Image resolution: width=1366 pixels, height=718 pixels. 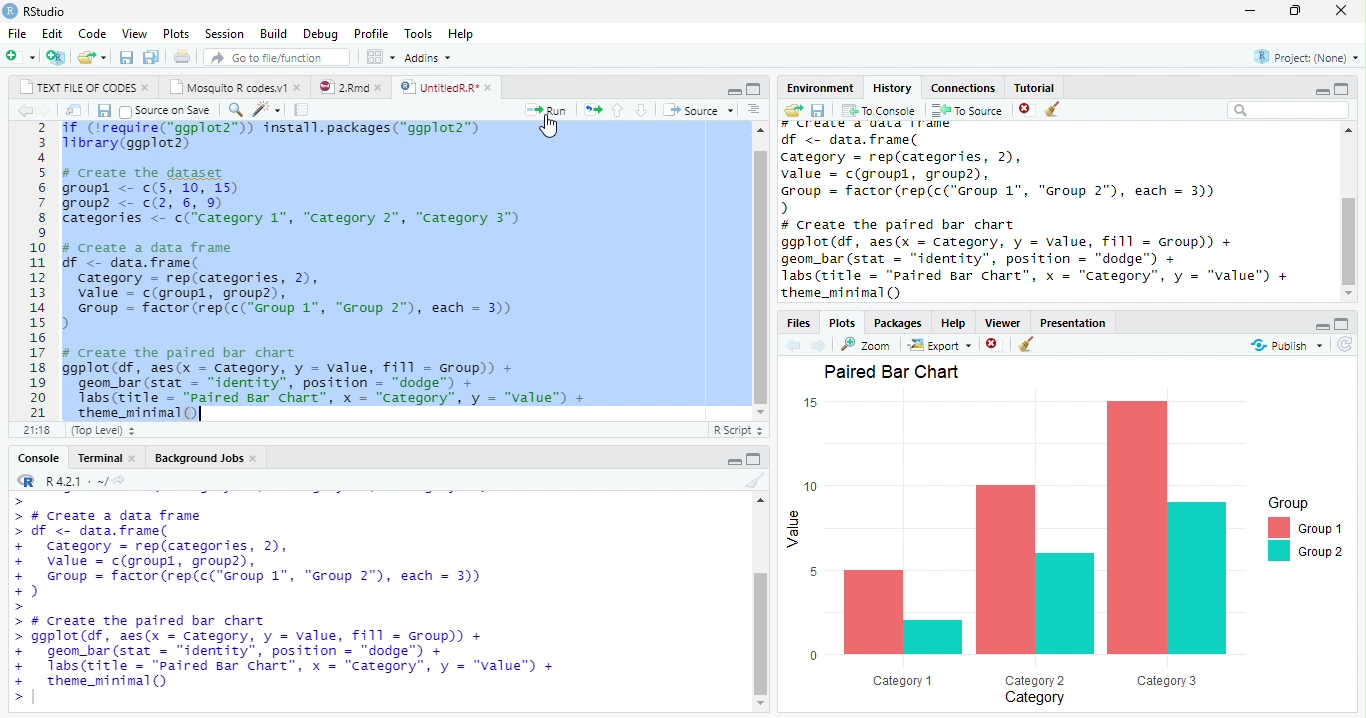 What do you see at coordinates (131, 32) in the screenshot?
I see `view` at bounding box center [131, 32].